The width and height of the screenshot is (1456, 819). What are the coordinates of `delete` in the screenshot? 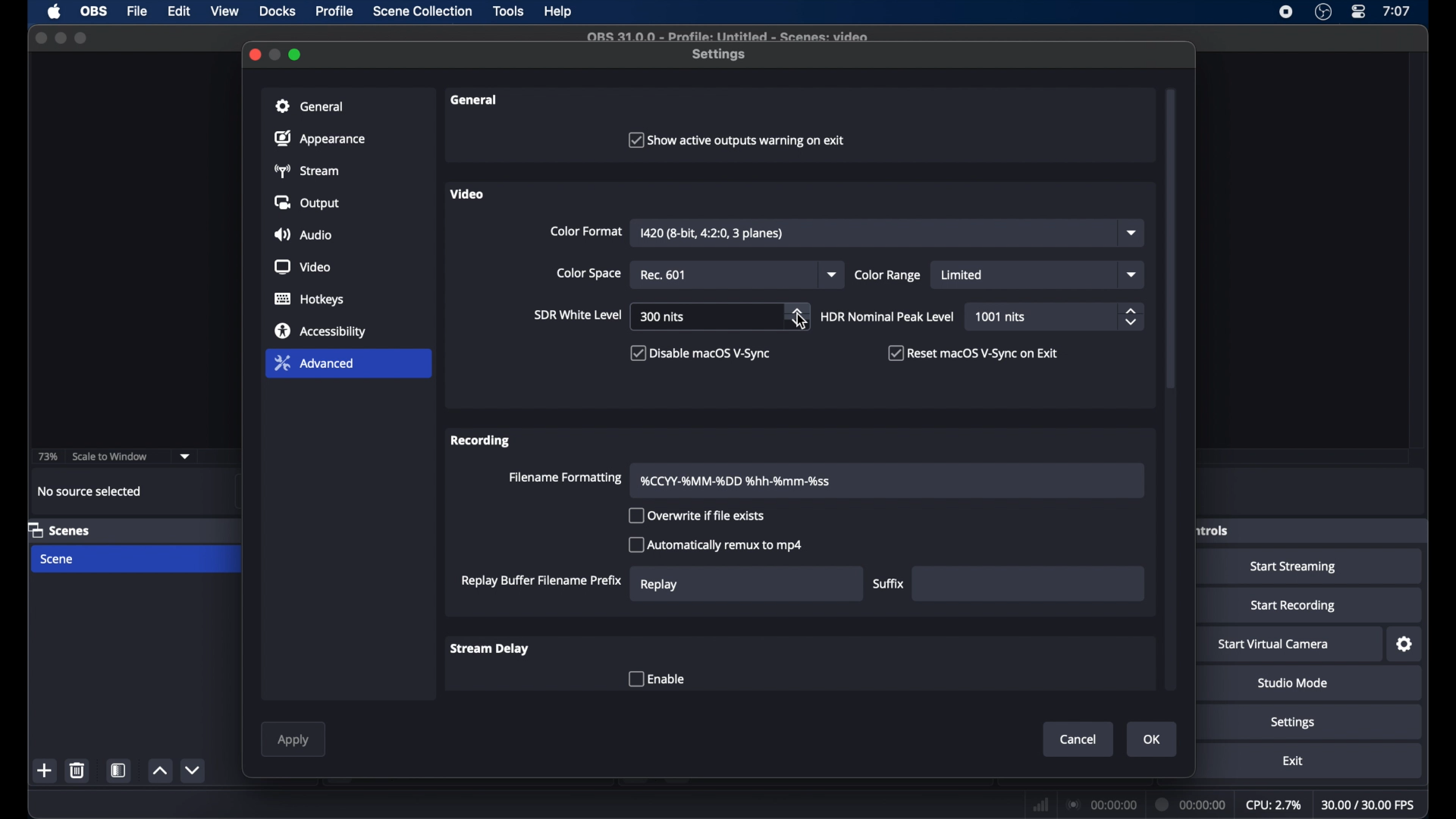 It's located at (77, 770).